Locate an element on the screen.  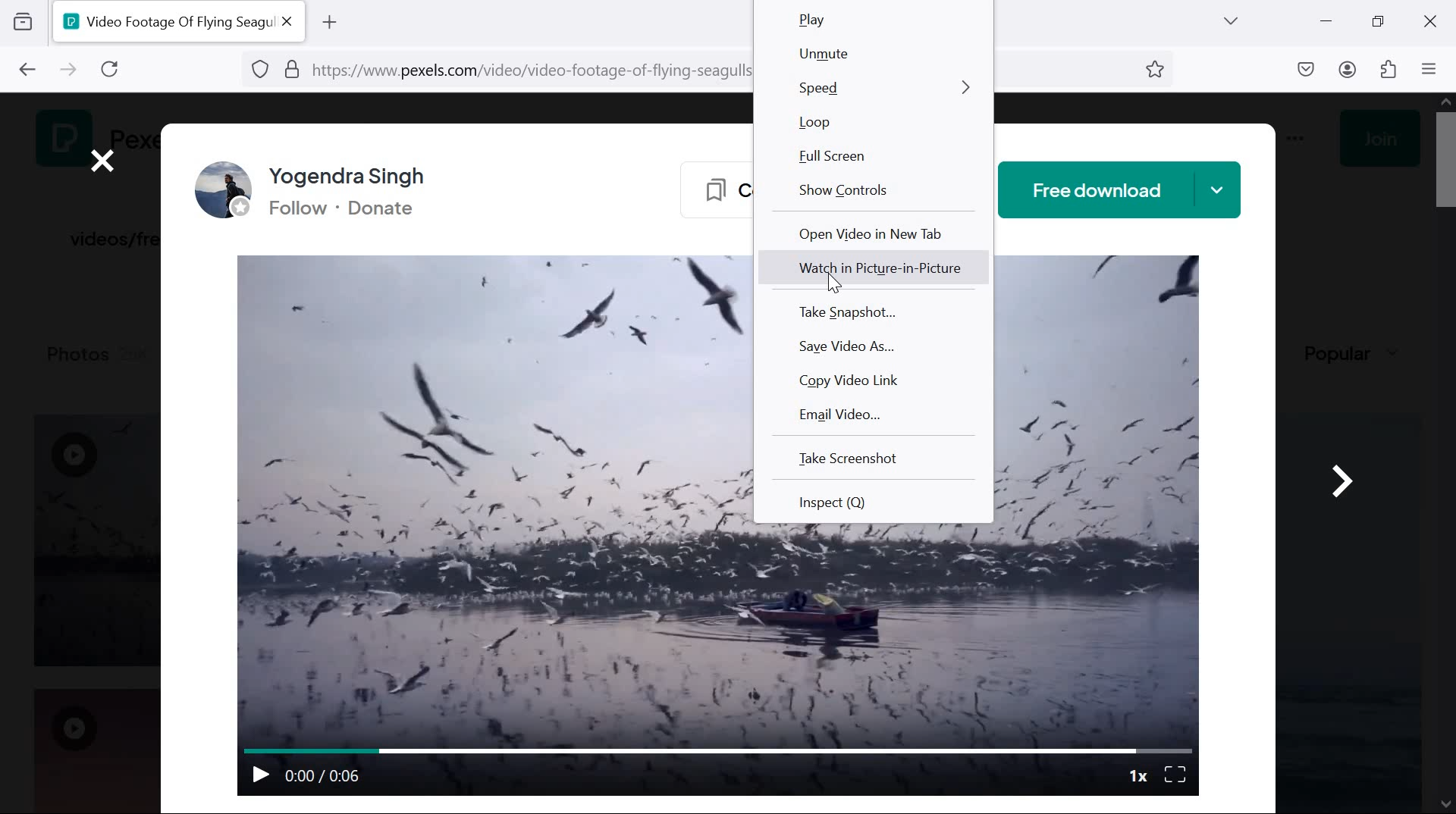
free download is located at coordinates (1120, 190).